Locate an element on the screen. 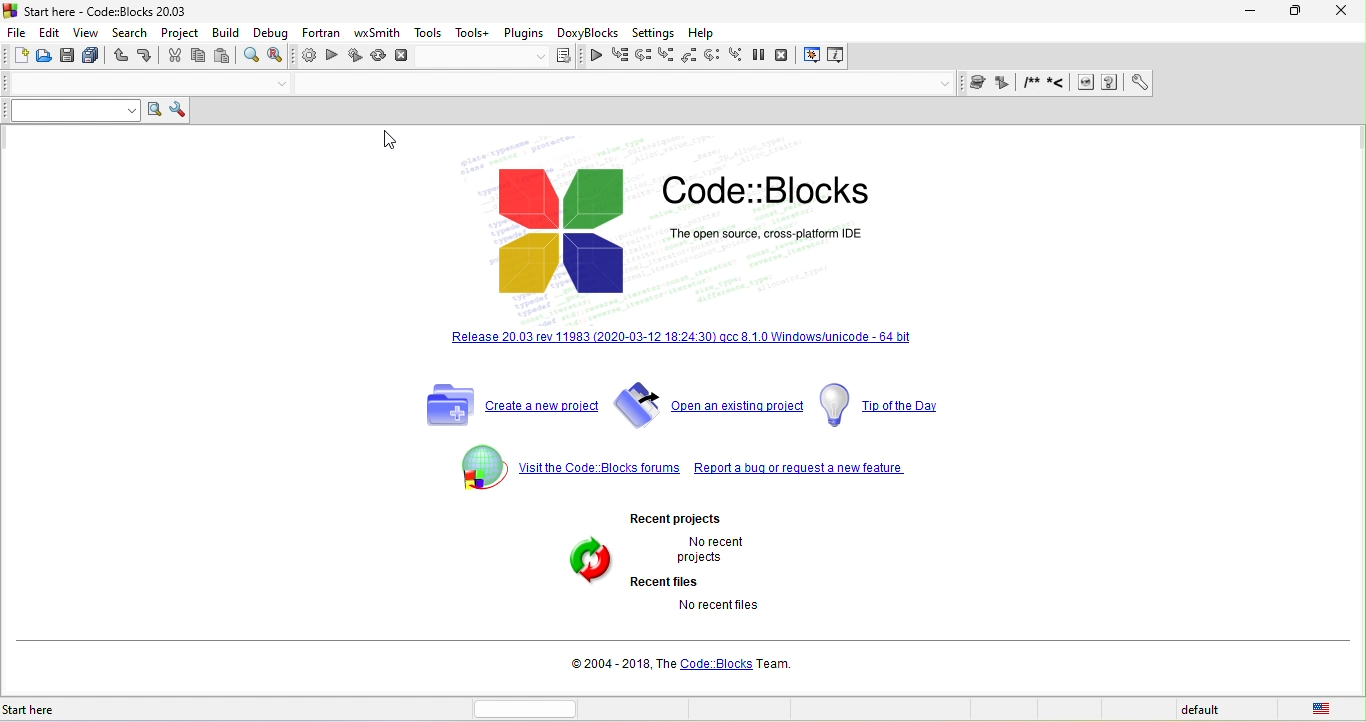 Image resolution: width=1366 pixels, height=722 pixels. paste is located at coordinates (224, 55).